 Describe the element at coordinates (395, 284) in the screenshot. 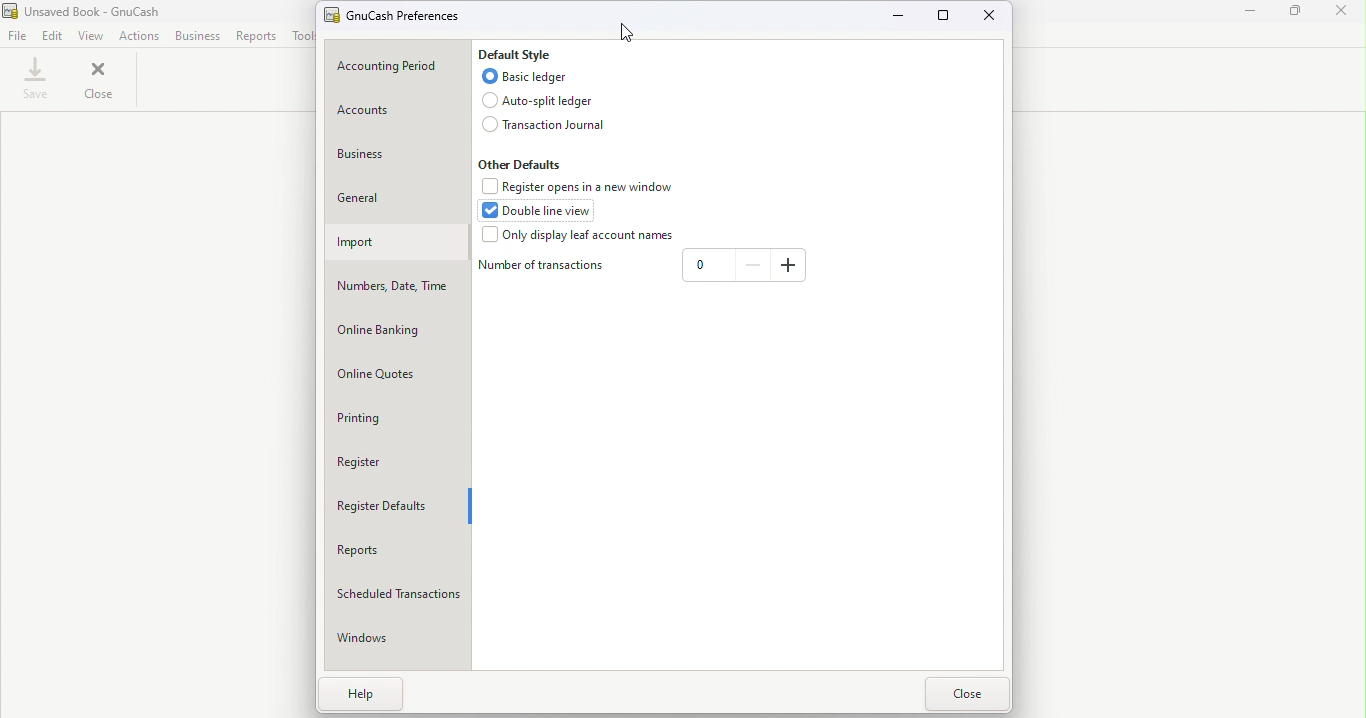

I see `Numbers, Date, Time` at that location.